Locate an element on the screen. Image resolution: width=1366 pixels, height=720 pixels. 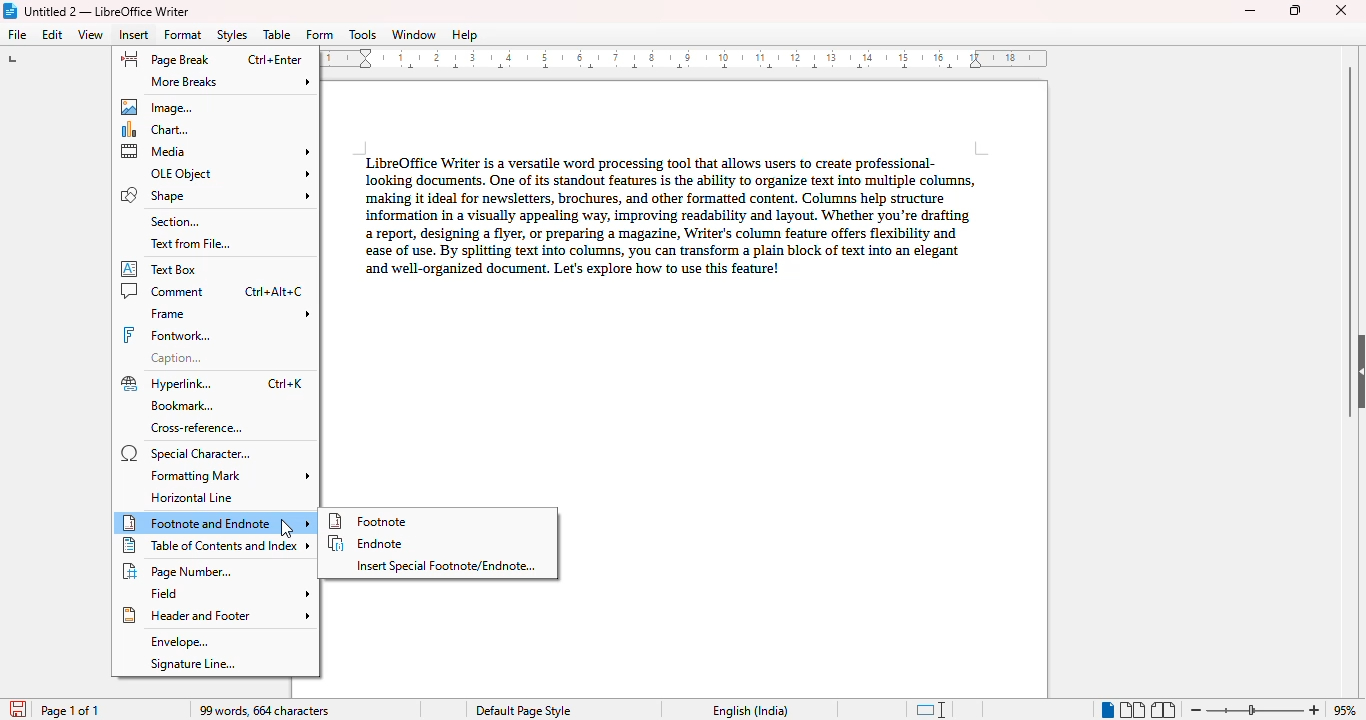
page break is located at coordinates (211, 60).